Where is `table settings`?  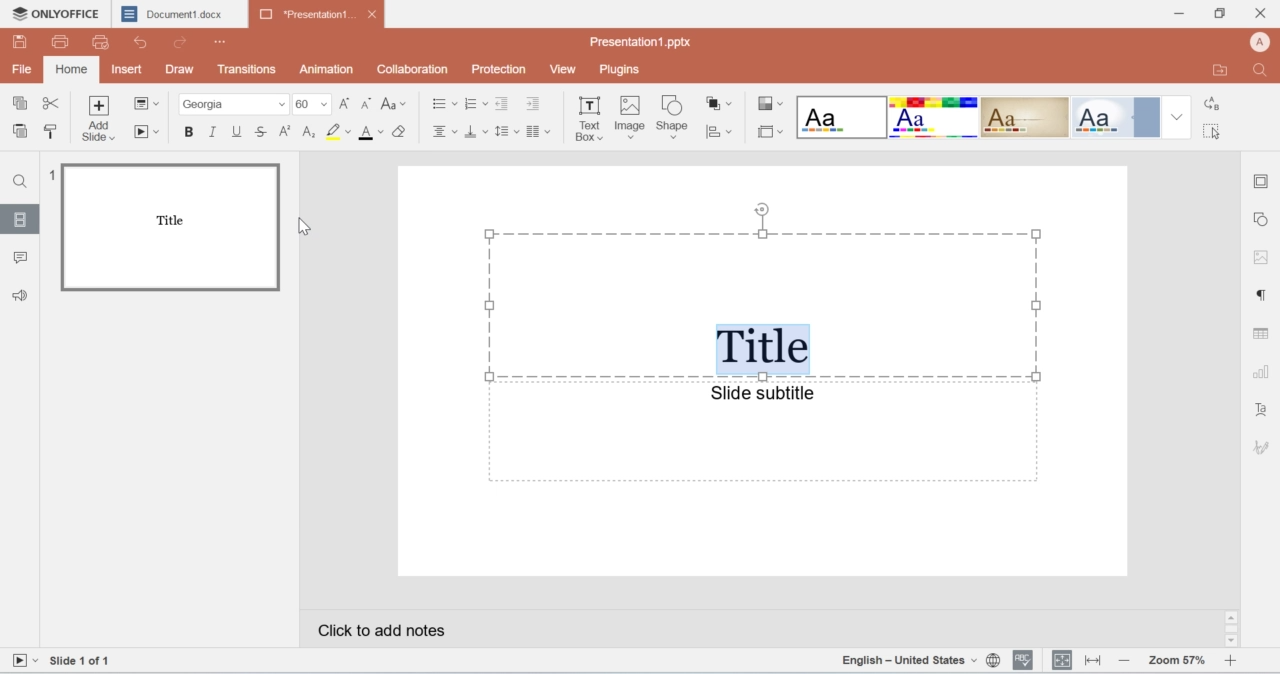 table settings is located at coordinates (1262, 335).